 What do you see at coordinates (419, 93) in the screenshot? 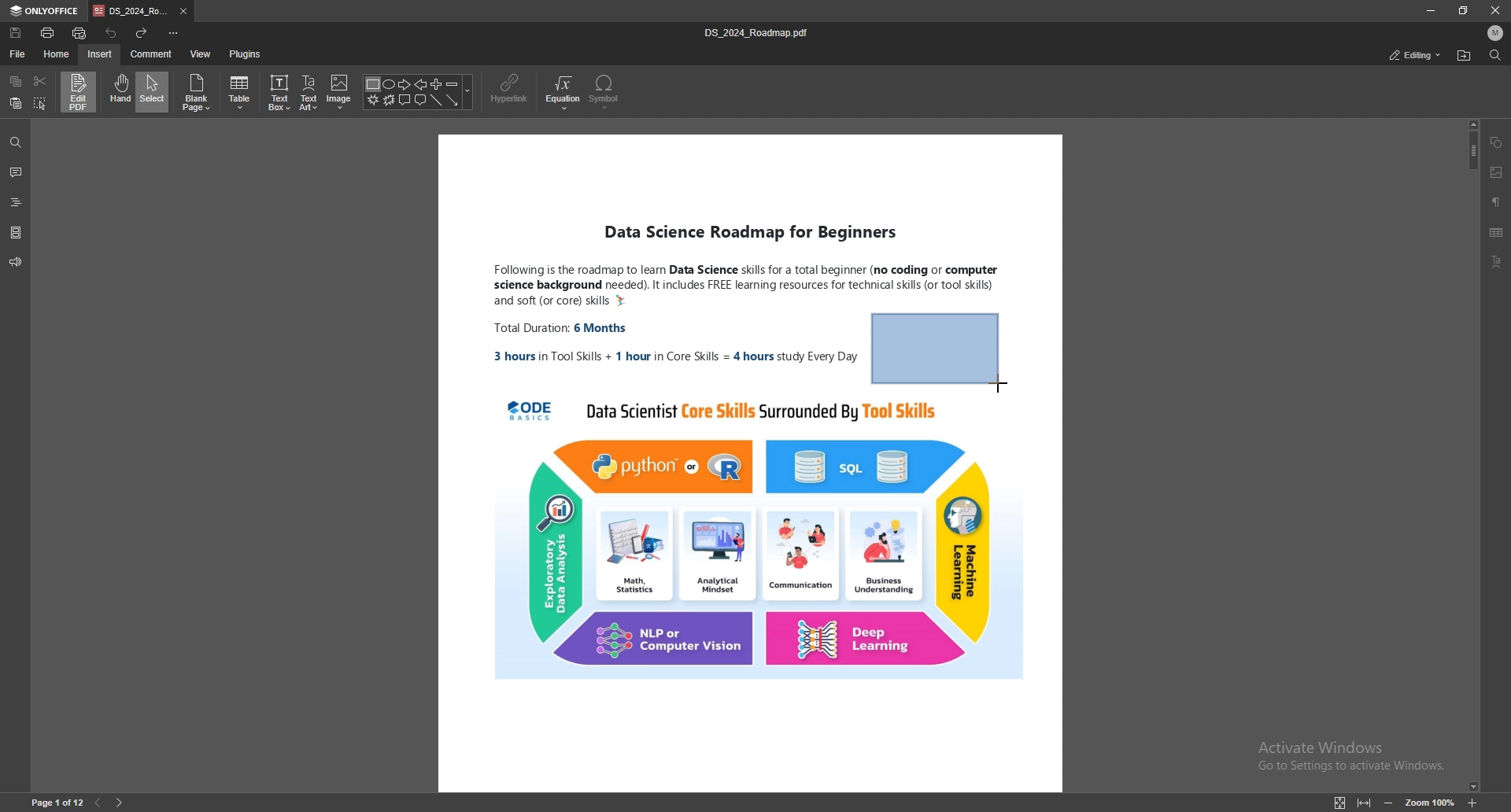
I see `shapes` at bounding box center [419, 93].